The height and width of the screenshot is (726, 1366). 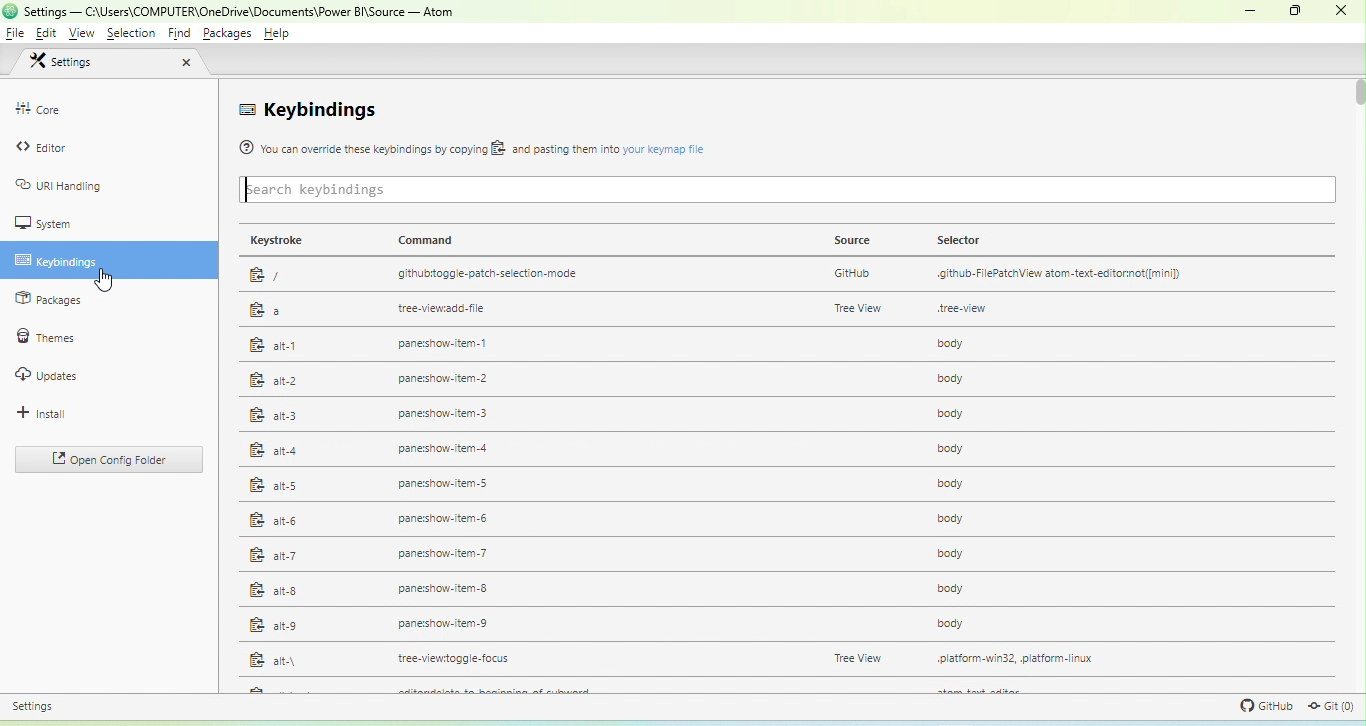 What do you see at coordinates (41, 414) in the screenshot?
I see `install` at bounding box center [41, 414].